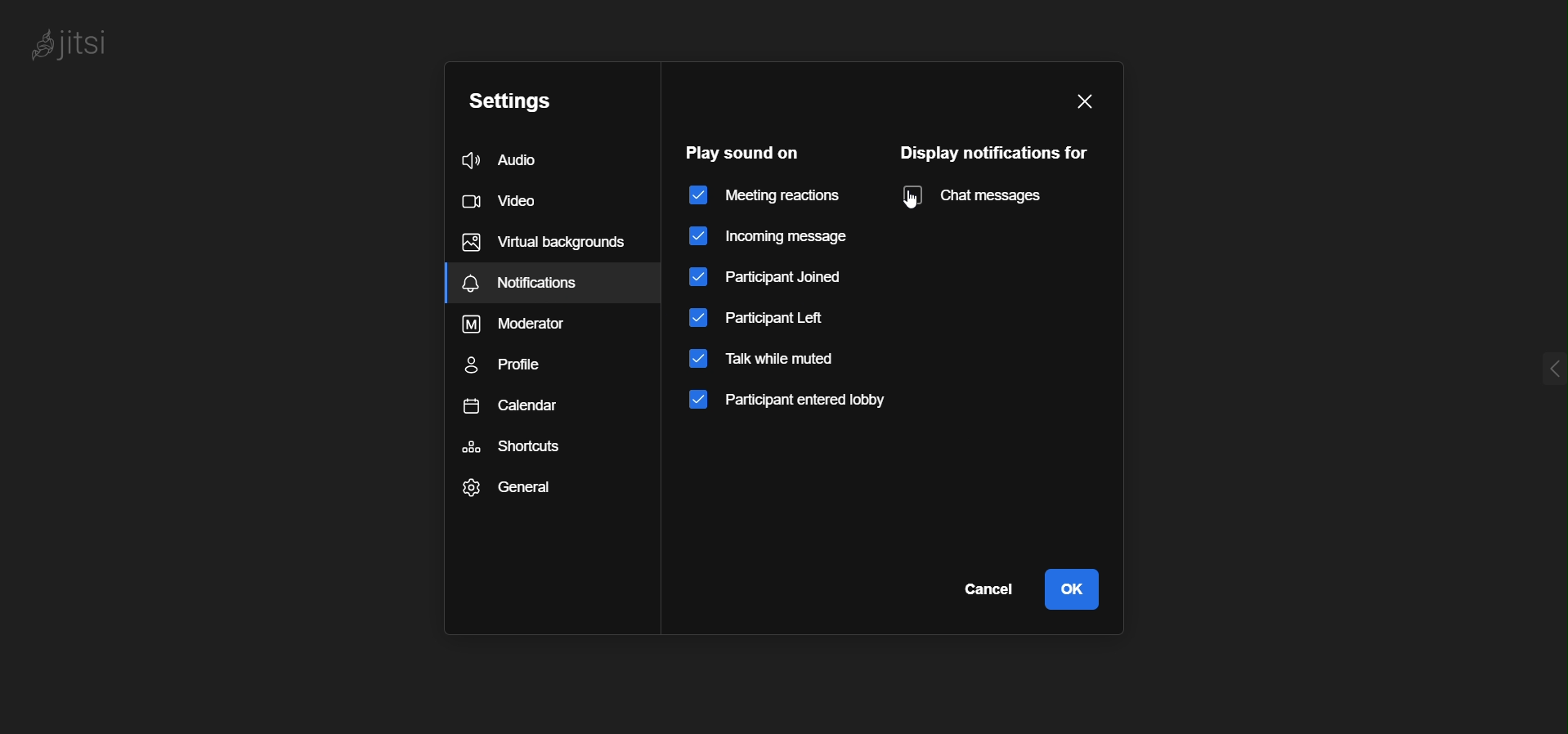 The image size is (1568, 734). I want to click on virtual backgrounds, so click(544, 243).